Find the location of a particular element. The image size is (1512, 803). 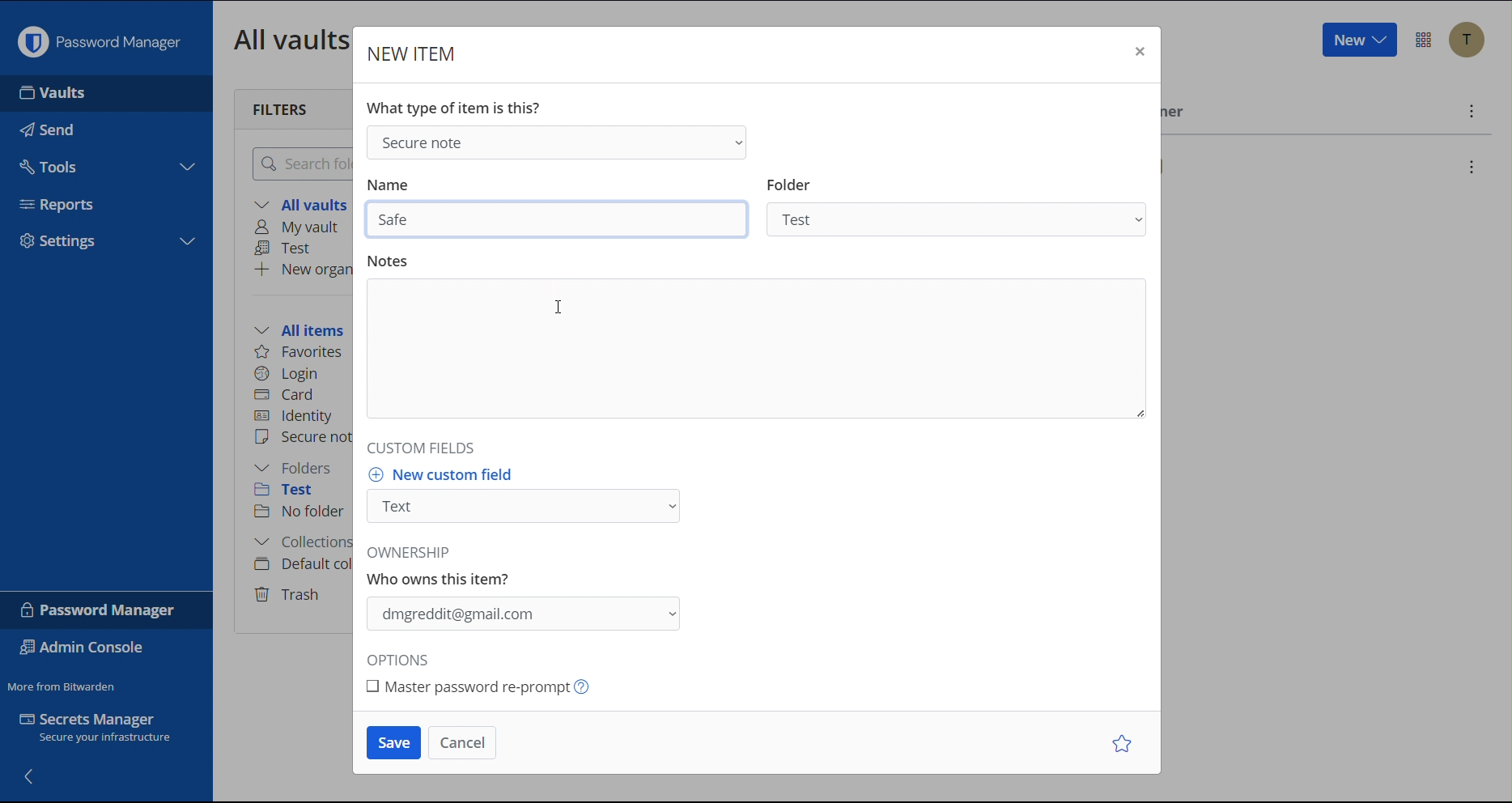

Default collection is located at coordinates (300, 564).